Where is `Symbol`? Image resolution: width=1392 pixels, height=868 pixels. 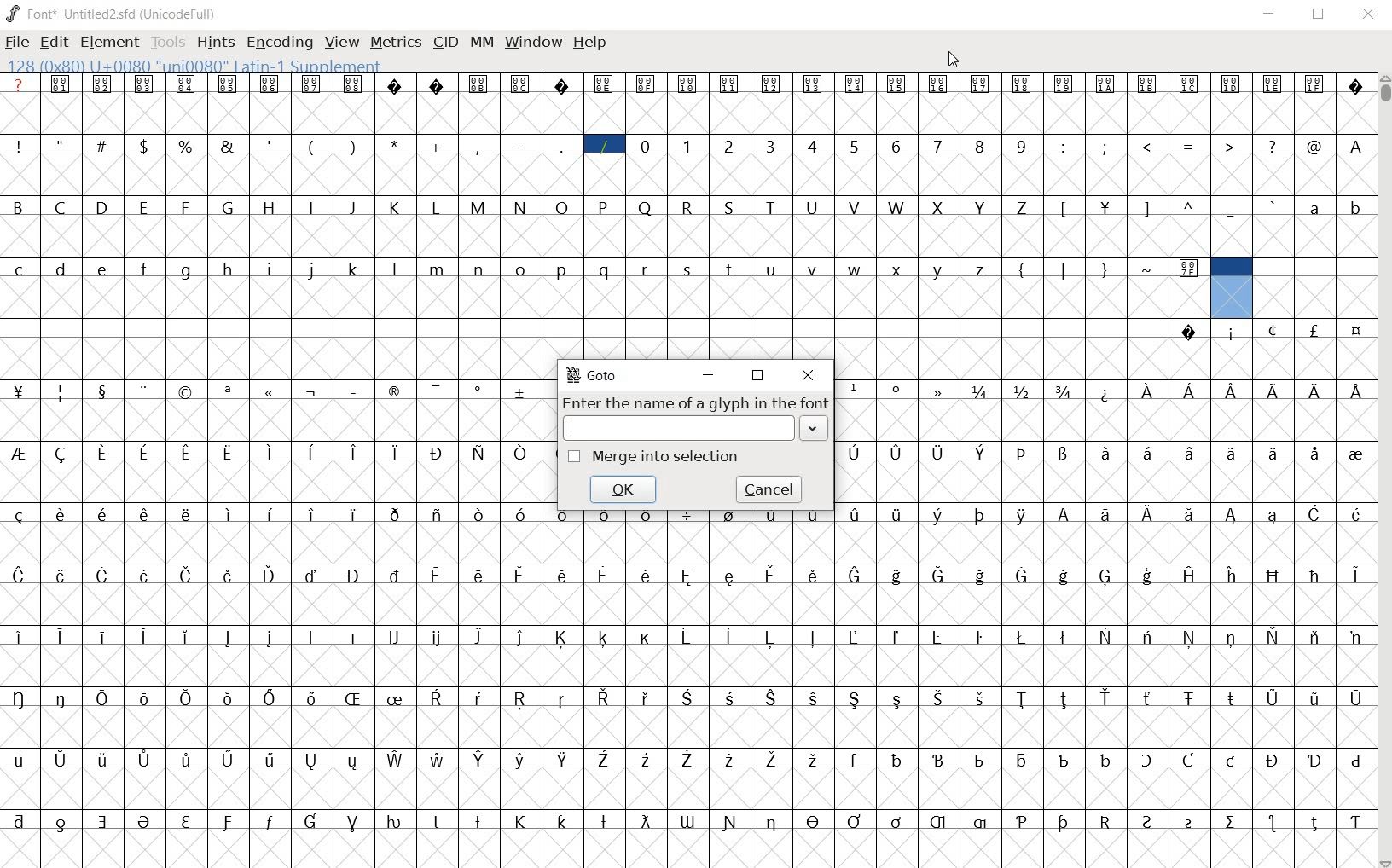 Symbol is located at coordinates (1147, 390).